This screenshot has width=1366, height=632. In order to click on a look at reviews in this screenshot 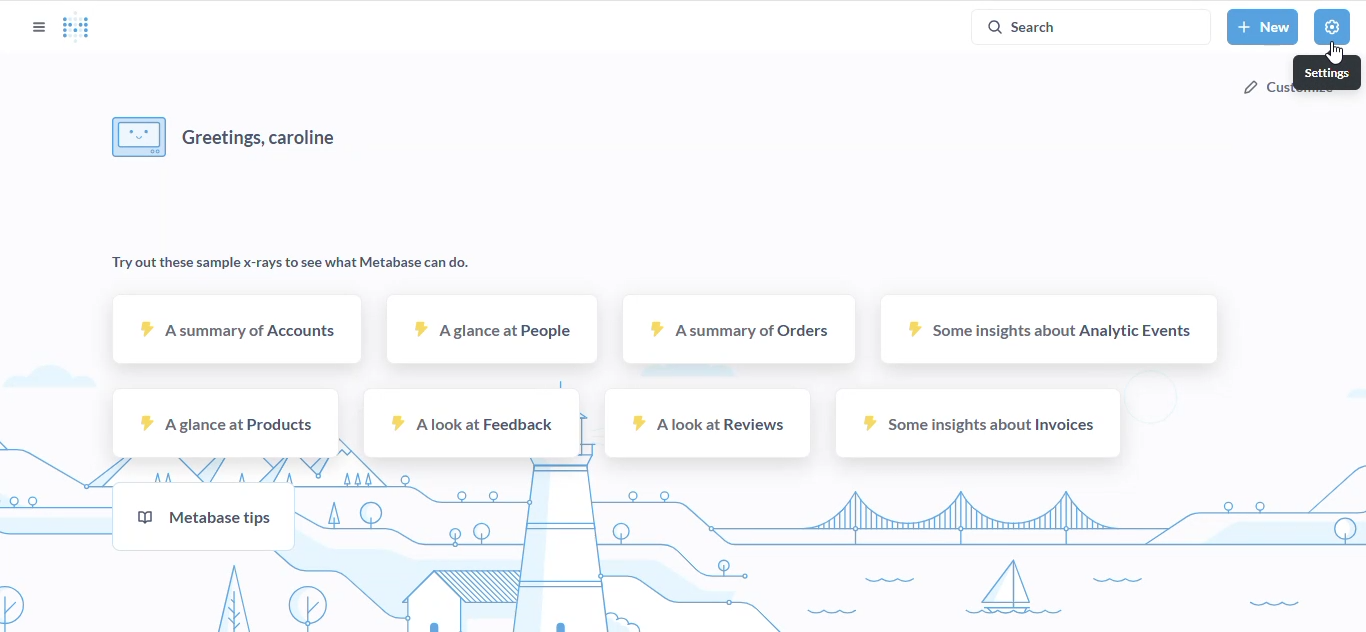, I will do `click(705, 423)`.